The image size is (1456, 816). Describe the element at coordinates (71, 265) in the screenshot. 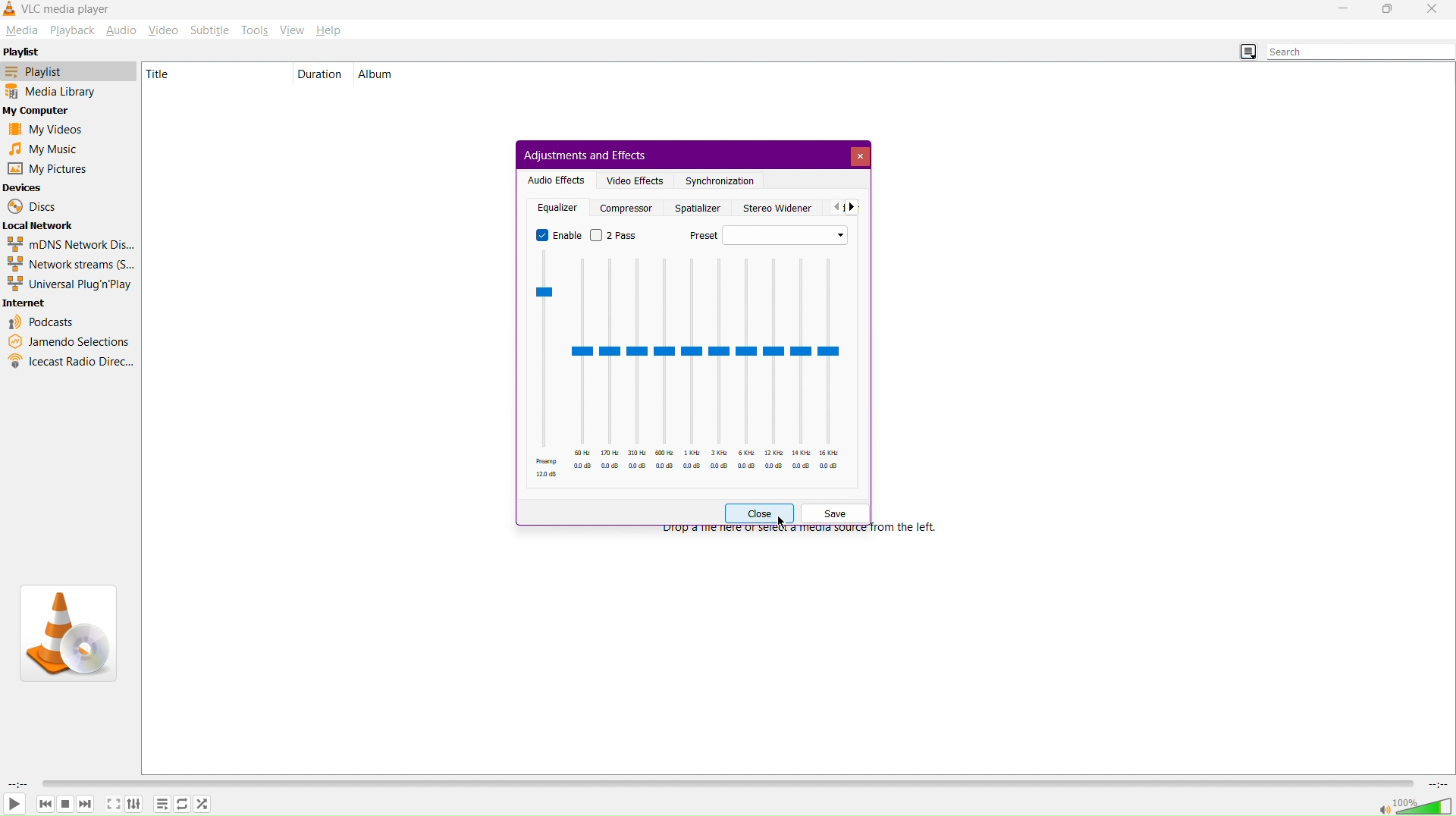

I see `Network streams` at that location.